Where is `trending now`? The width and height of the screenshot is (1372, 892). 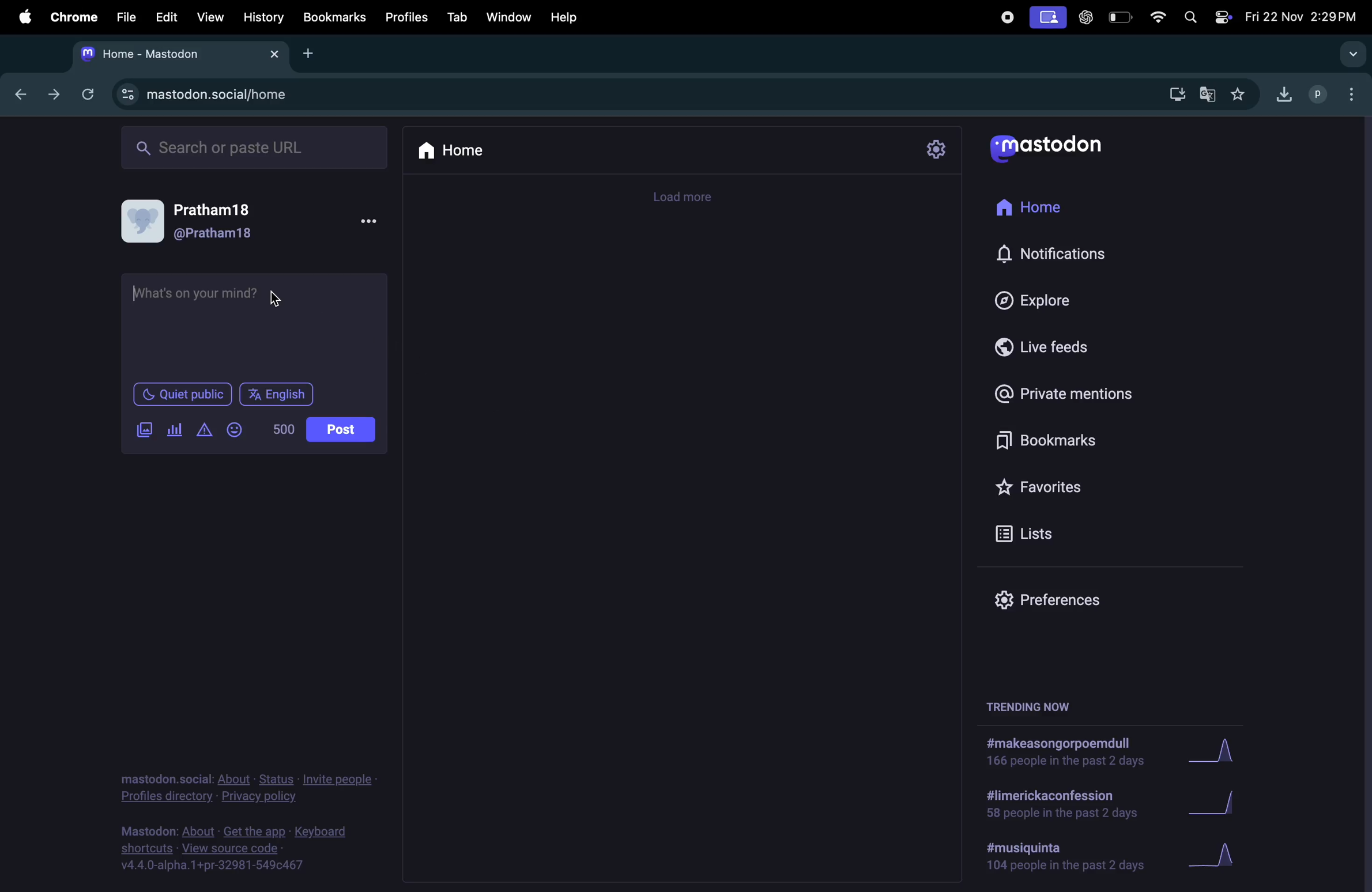
trending now is located at coordinates (1036, 705).